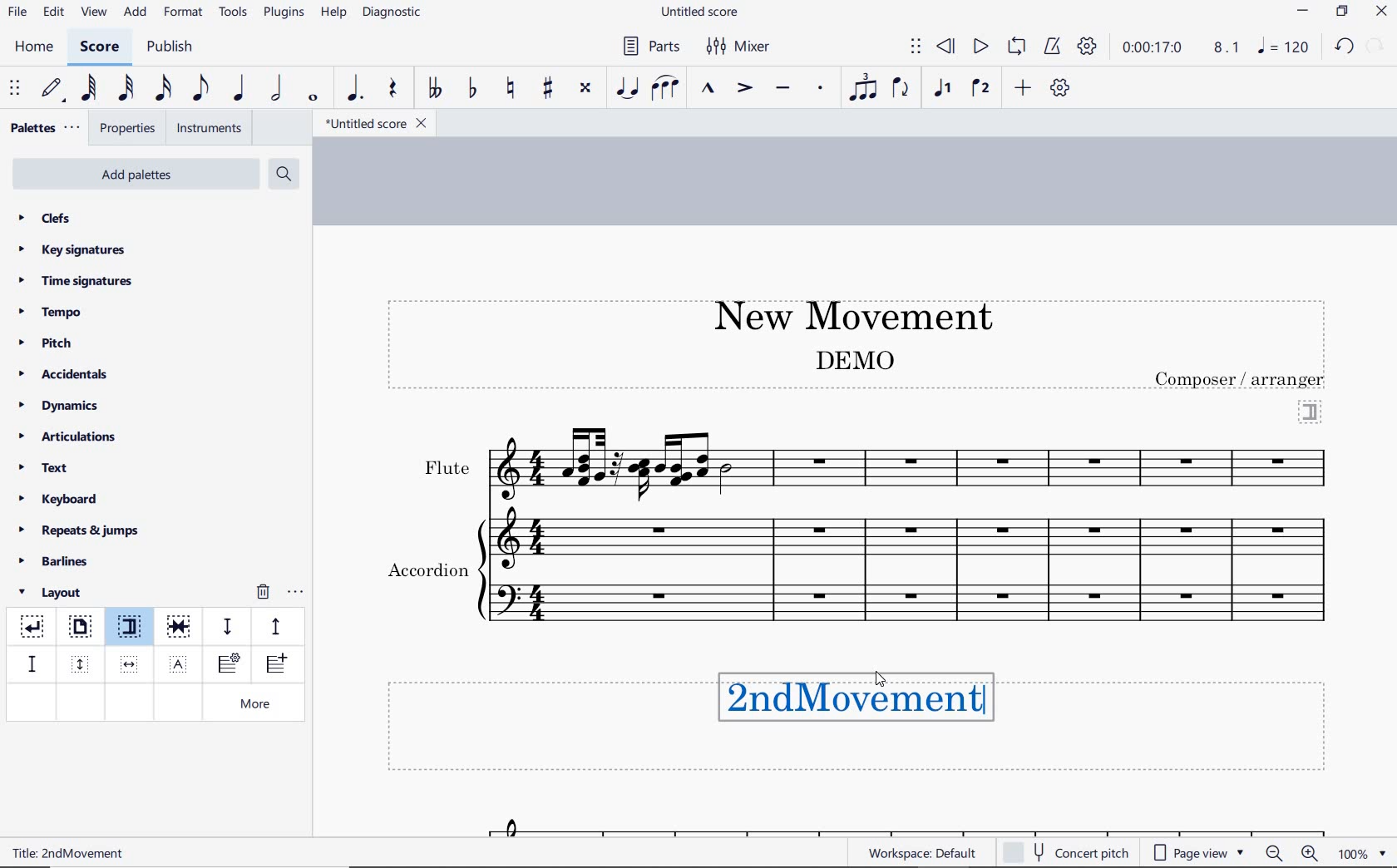 This screenshot has width=1397, height=868. What do you see at coordinates (130, 664) in the screenshot?
I see `insert horizontal` at bounding box center [130, 664].